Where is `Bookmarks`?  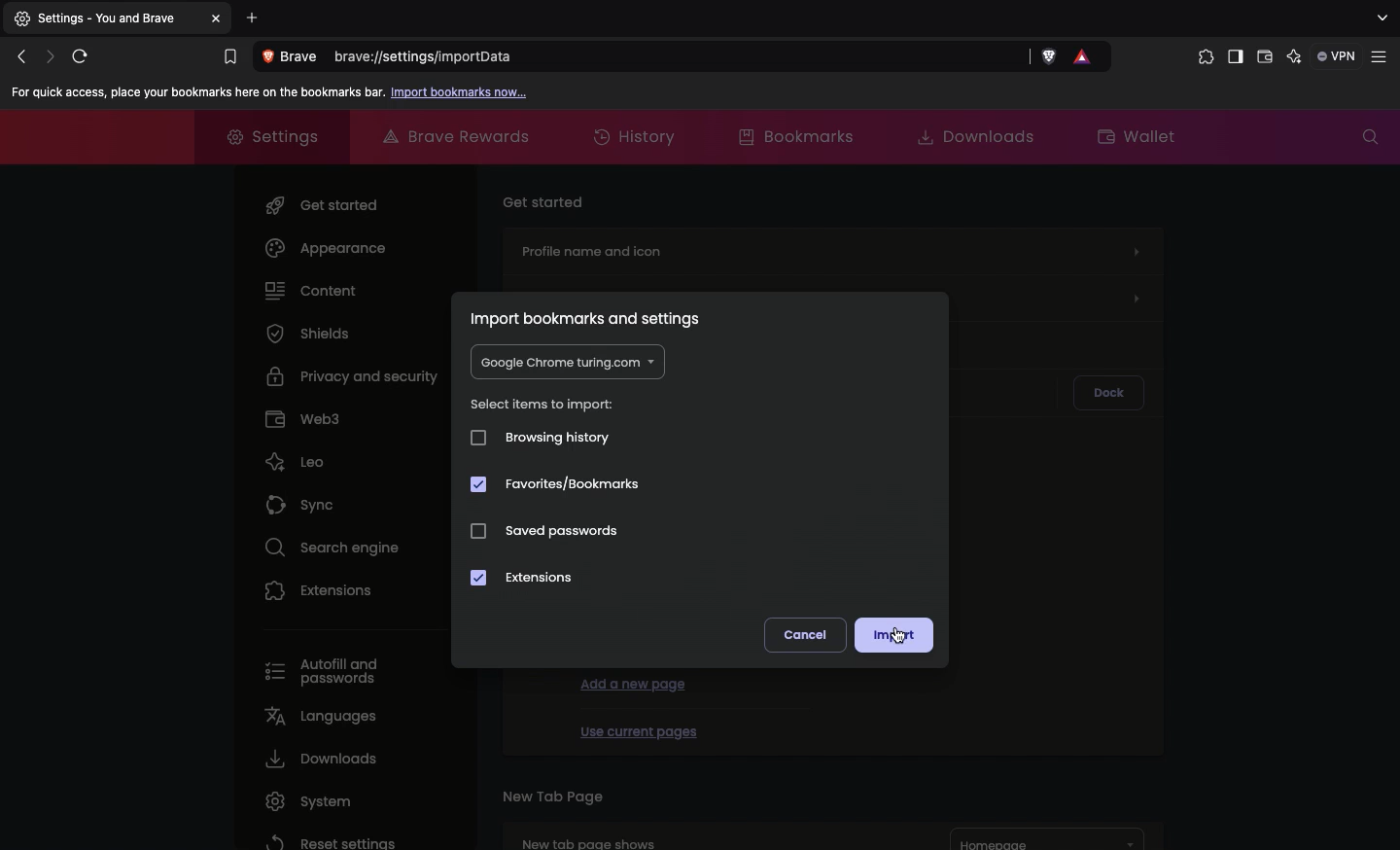 Bookmarks is located at coordinates (228, 57).